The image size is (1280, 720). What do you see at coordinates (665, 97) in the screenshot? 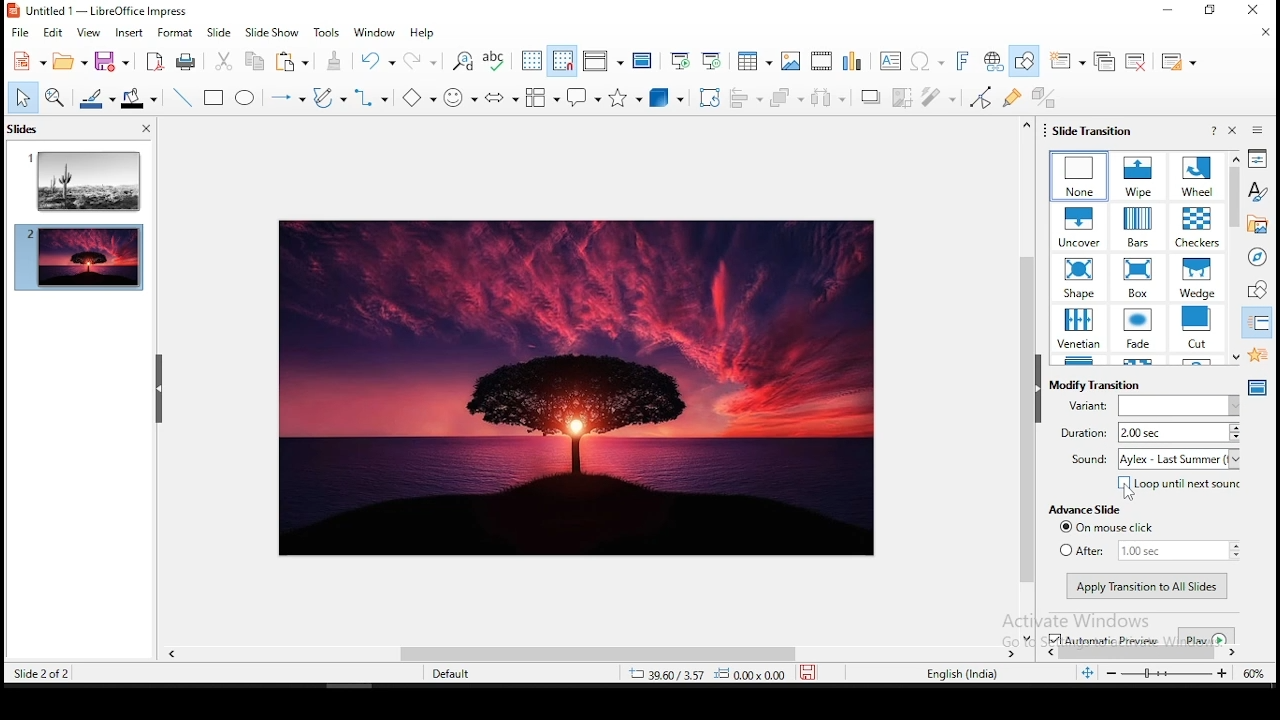
I see `3D objects` at bounding box center [665, 97].